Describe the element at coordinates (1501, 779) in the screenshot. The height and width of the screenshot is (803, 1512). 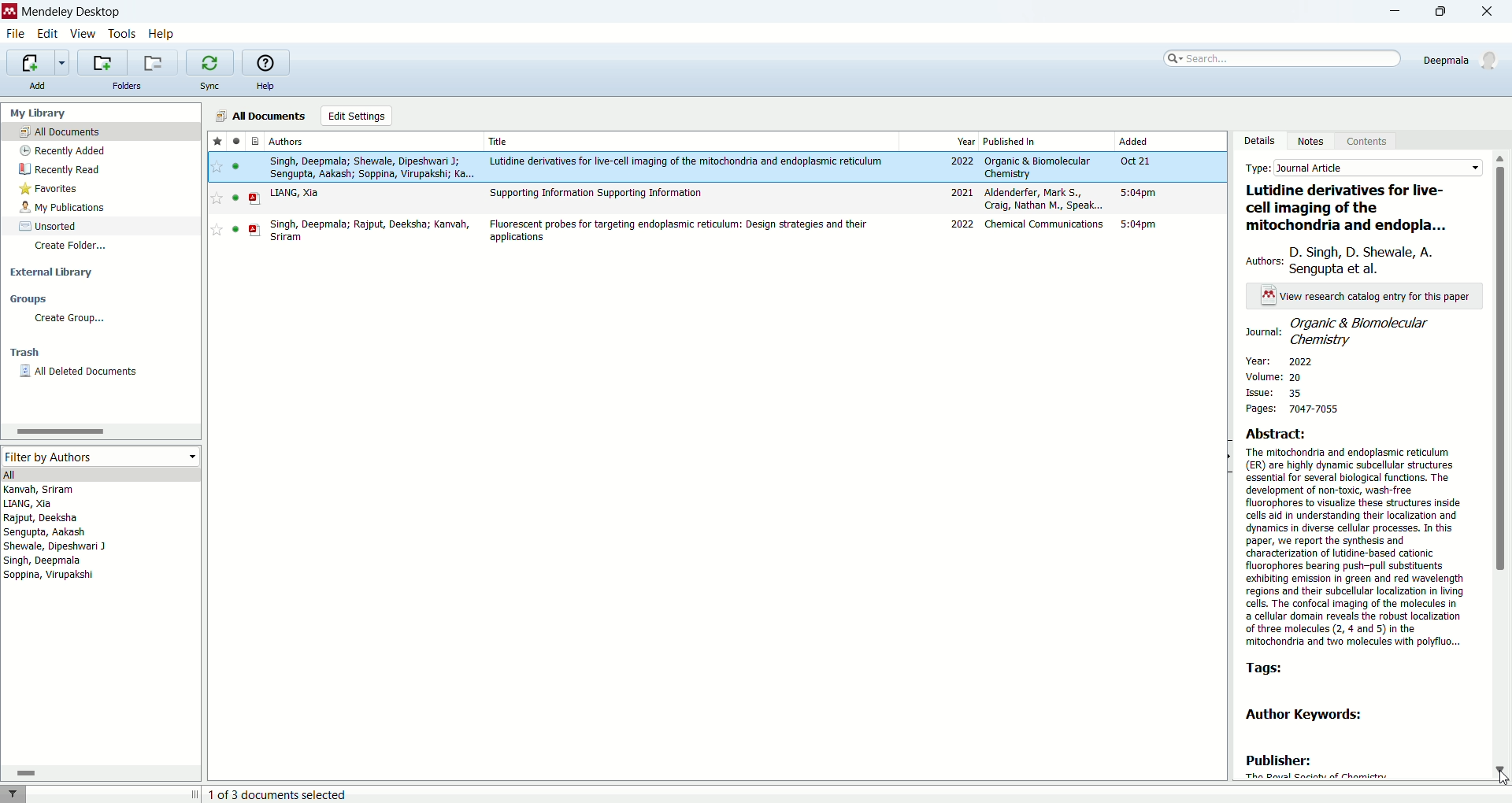
I see `cursor - press` at that location.